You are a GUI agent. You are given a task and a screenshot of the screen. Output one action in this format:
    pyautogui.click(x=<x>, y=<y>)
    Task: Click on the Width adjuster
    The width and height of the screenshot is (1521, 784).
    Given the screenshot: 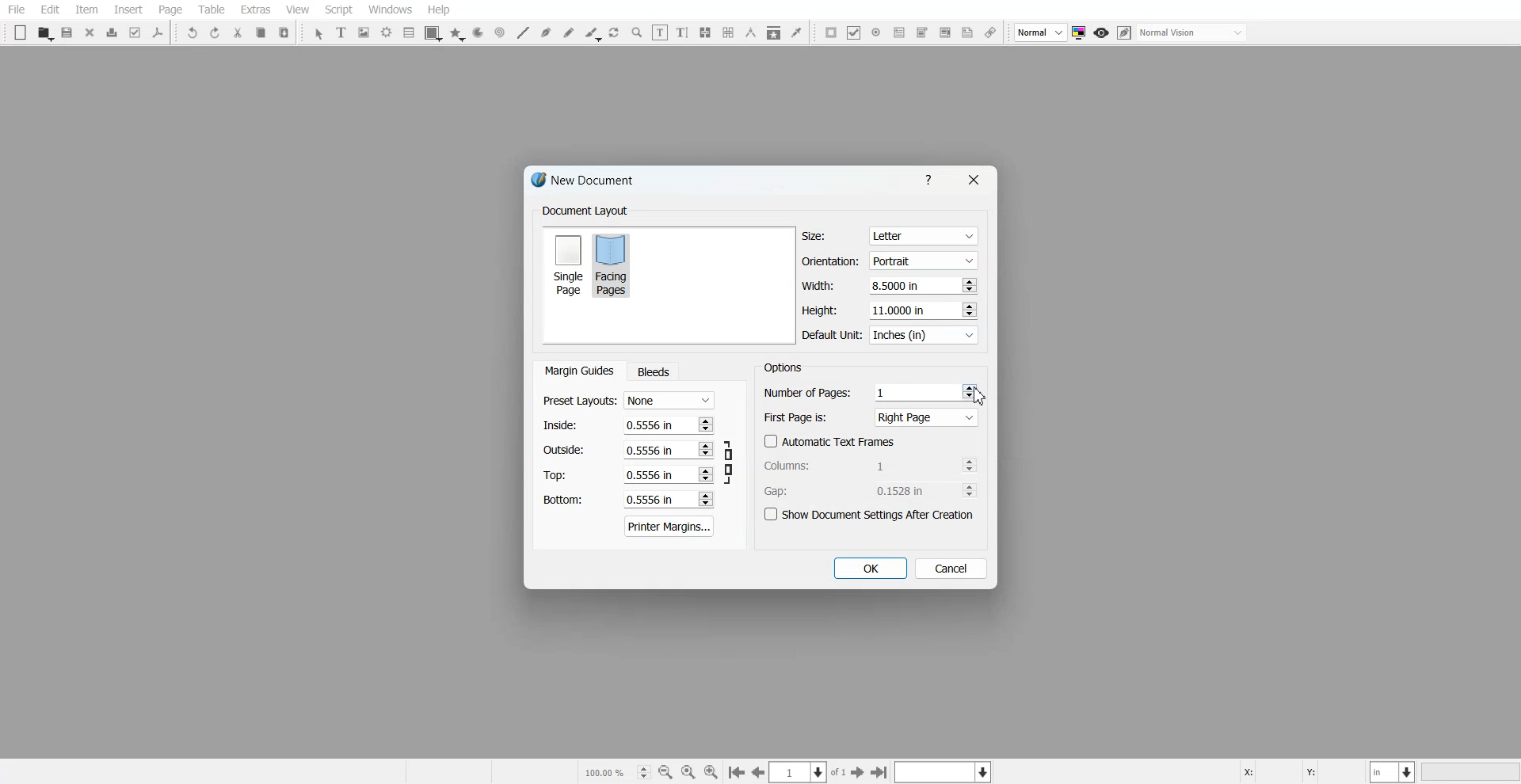 What is the action you would take?
    pyautogui.click(x=889, y=286)
    